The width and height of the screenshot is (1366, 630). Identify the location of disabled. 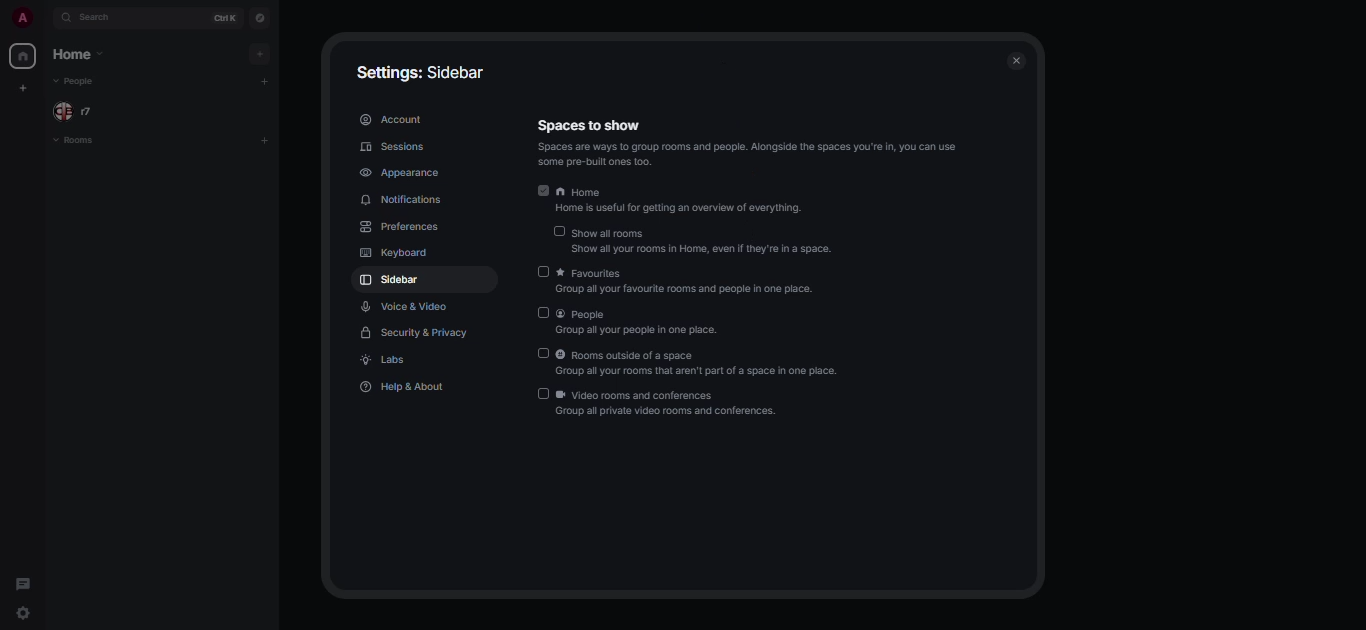
(543, 271).